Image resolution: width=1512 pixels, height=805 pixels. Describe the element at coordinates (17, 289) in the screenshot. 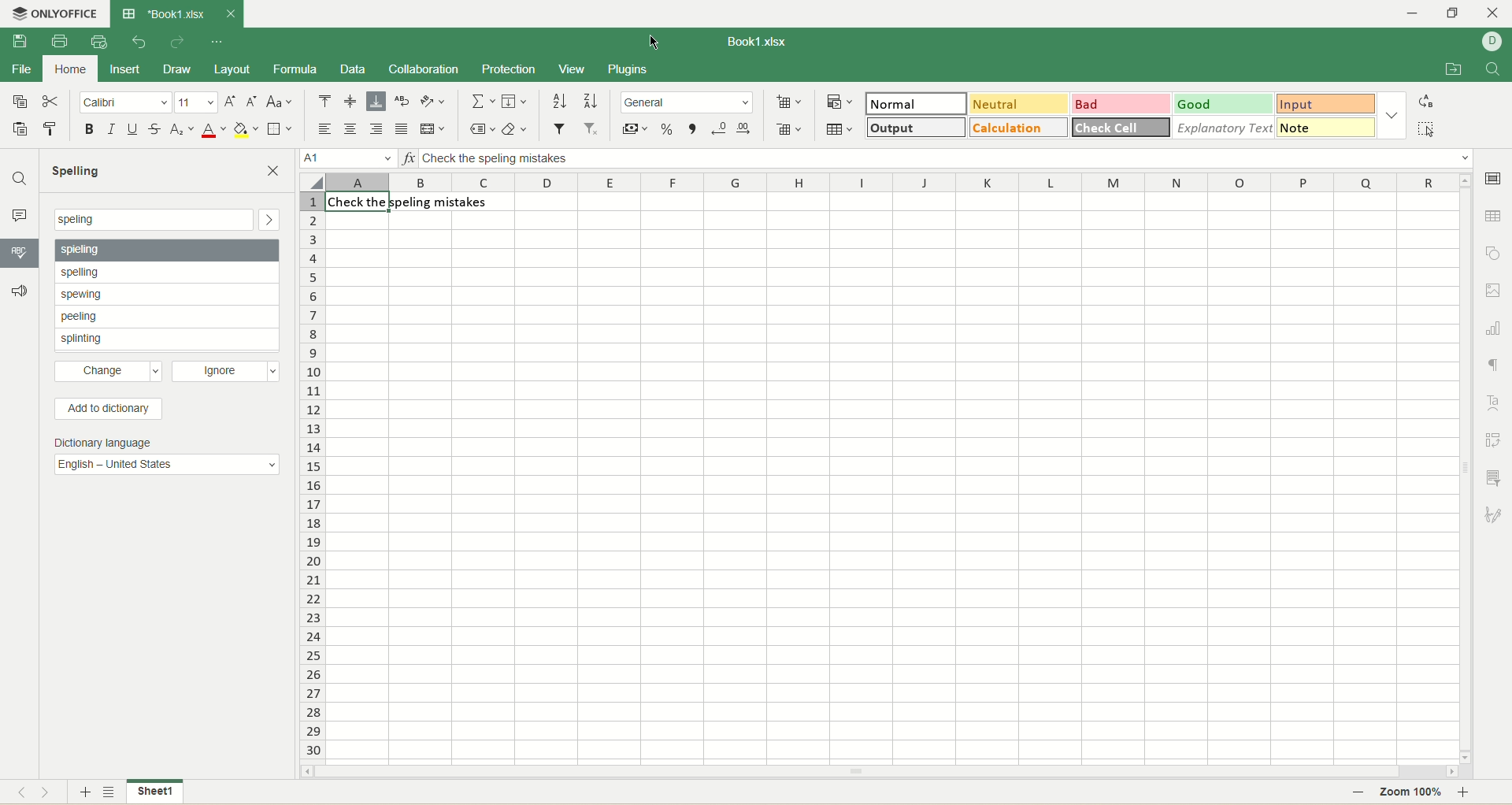

I see `feedback and support` at that location.